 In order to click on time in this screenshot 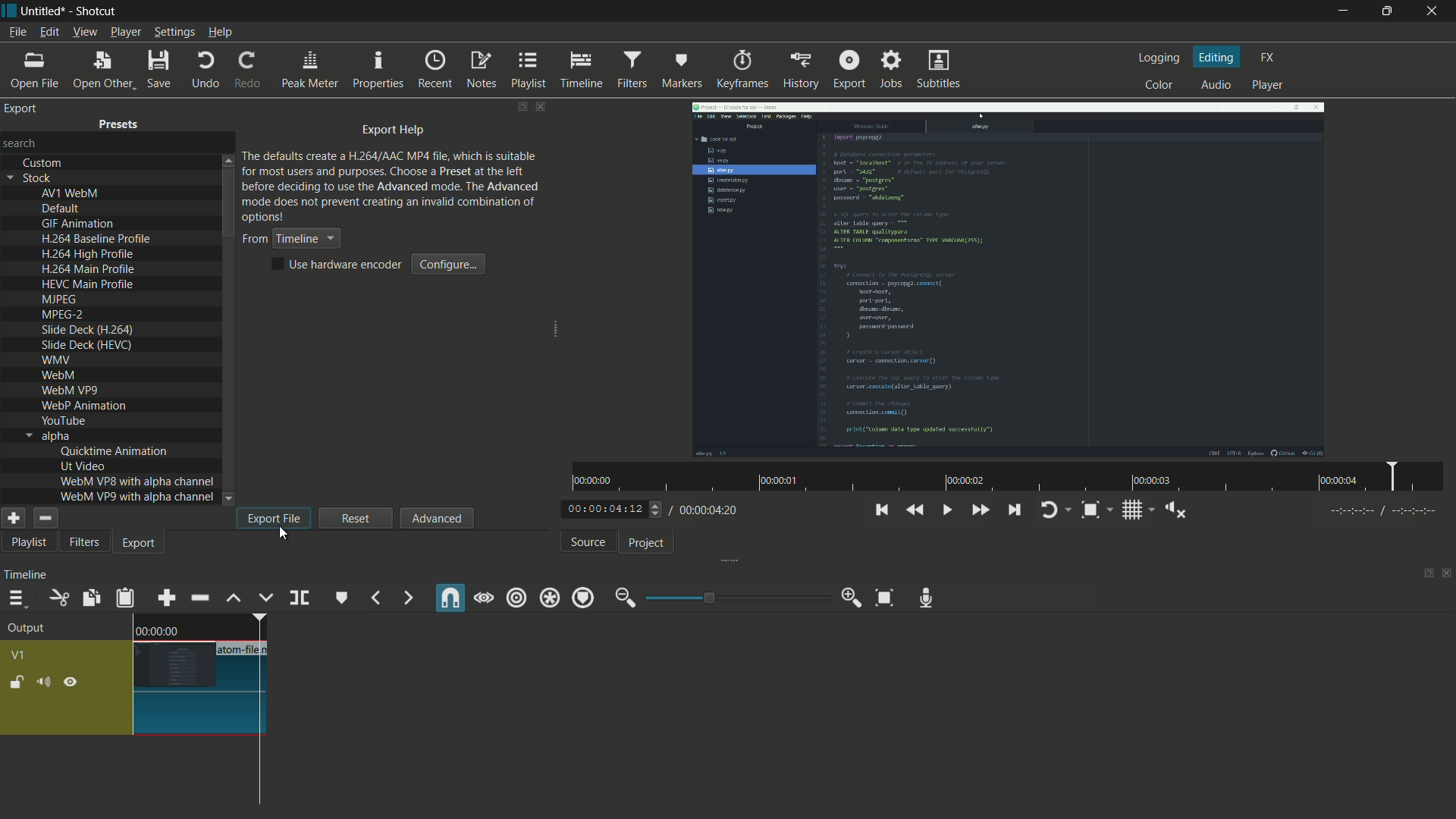, I will do `click(157, 630)`.